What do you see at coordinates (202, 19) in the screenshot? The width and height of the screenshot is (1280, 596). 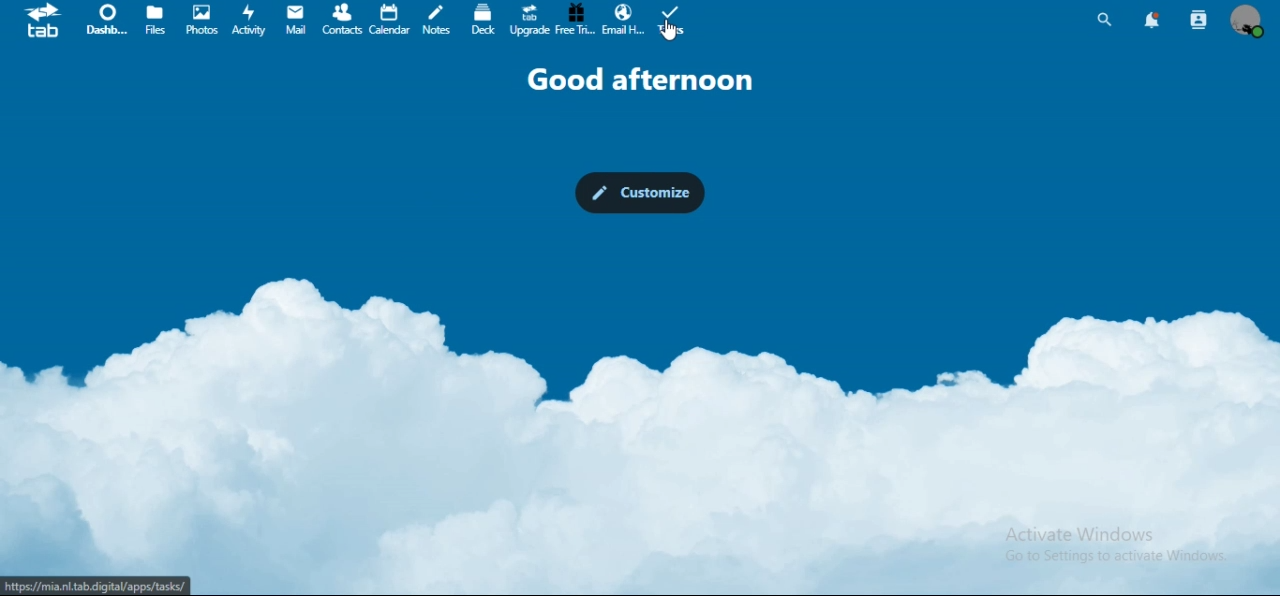 I see `photos` at bounding box center [202, 19].